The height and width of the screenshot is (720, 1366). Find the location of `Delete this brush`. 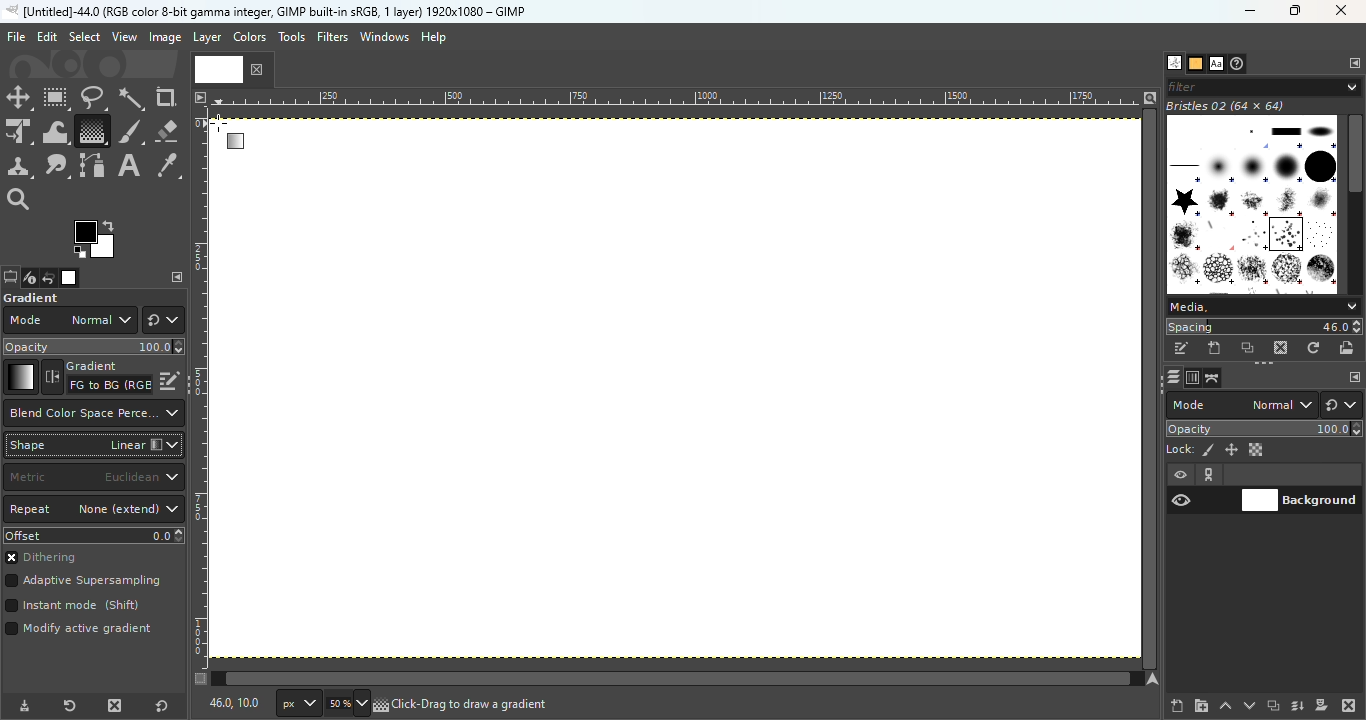

Delete this brush is located at coordinates (1282, 347).